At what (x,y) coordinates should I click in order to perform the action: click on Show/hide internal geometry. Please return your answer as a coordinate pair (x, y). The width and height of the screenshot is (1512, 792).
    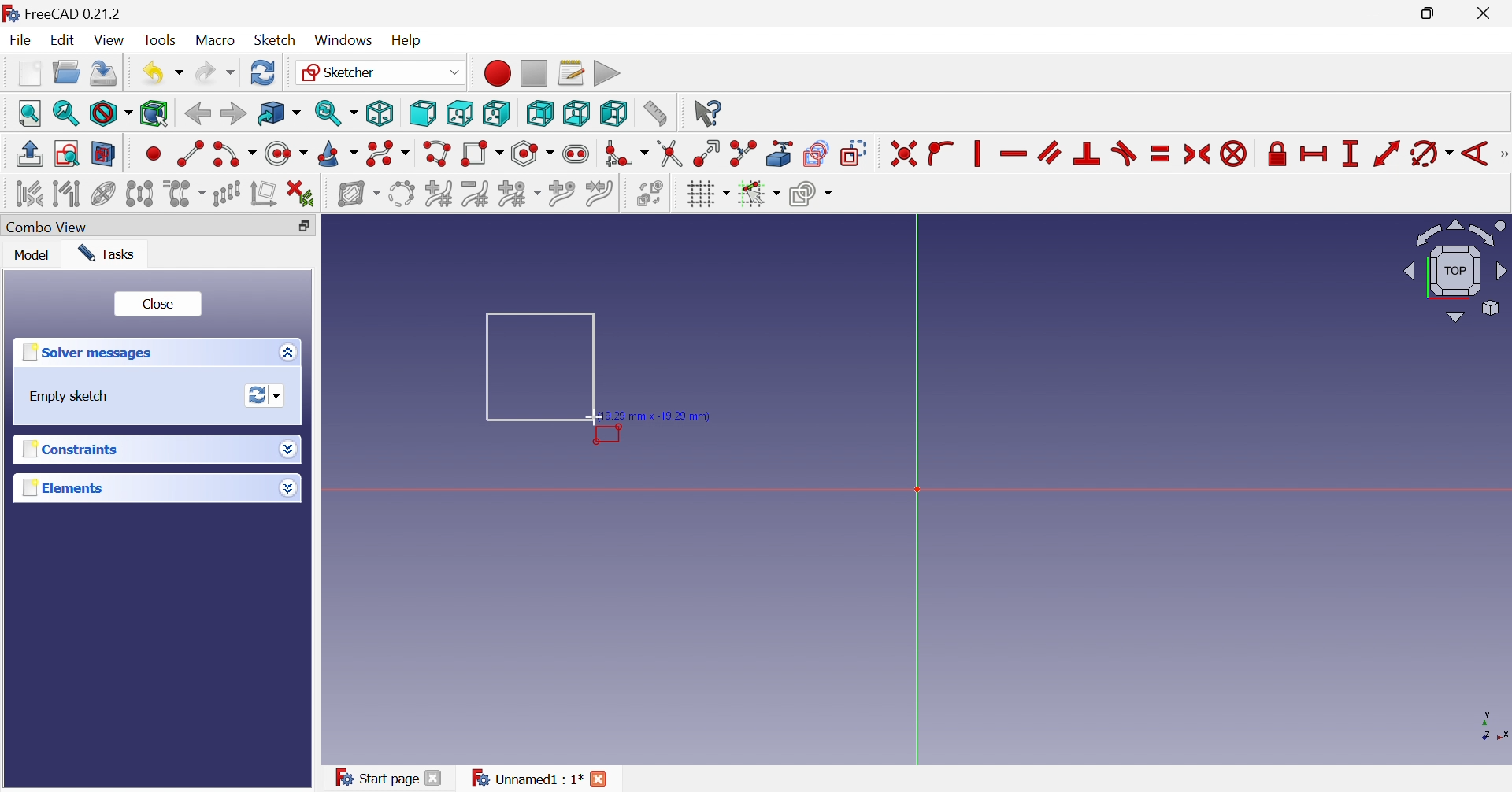
    Looking at the image, I should click on (102, 195).